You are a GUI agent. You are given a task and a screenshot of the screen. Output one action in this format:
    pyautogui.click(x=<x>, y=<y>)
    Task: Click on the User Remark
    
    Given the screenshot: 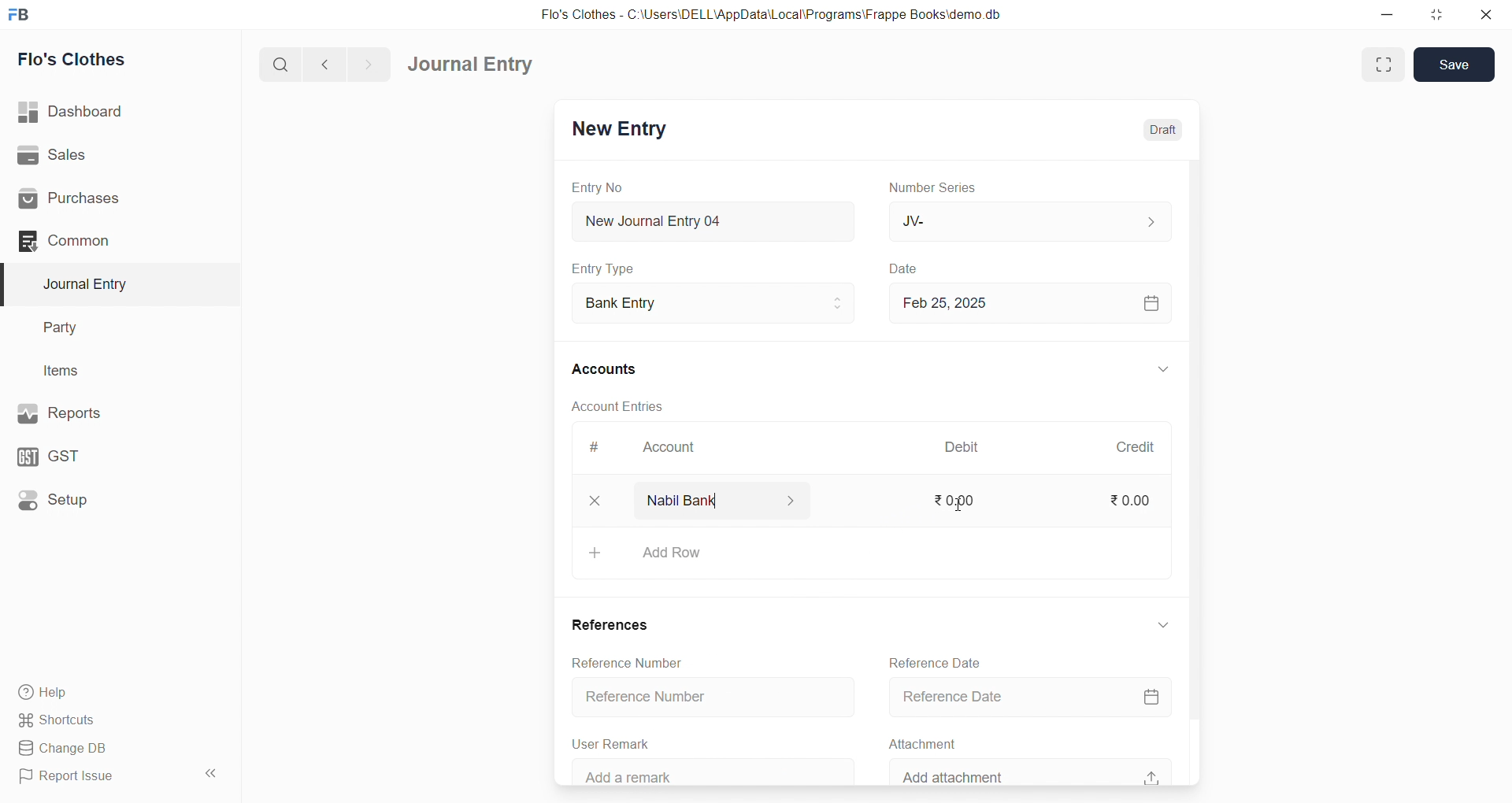 What is the action you would take?
    pyautogui.click(x=606, y=742)
    